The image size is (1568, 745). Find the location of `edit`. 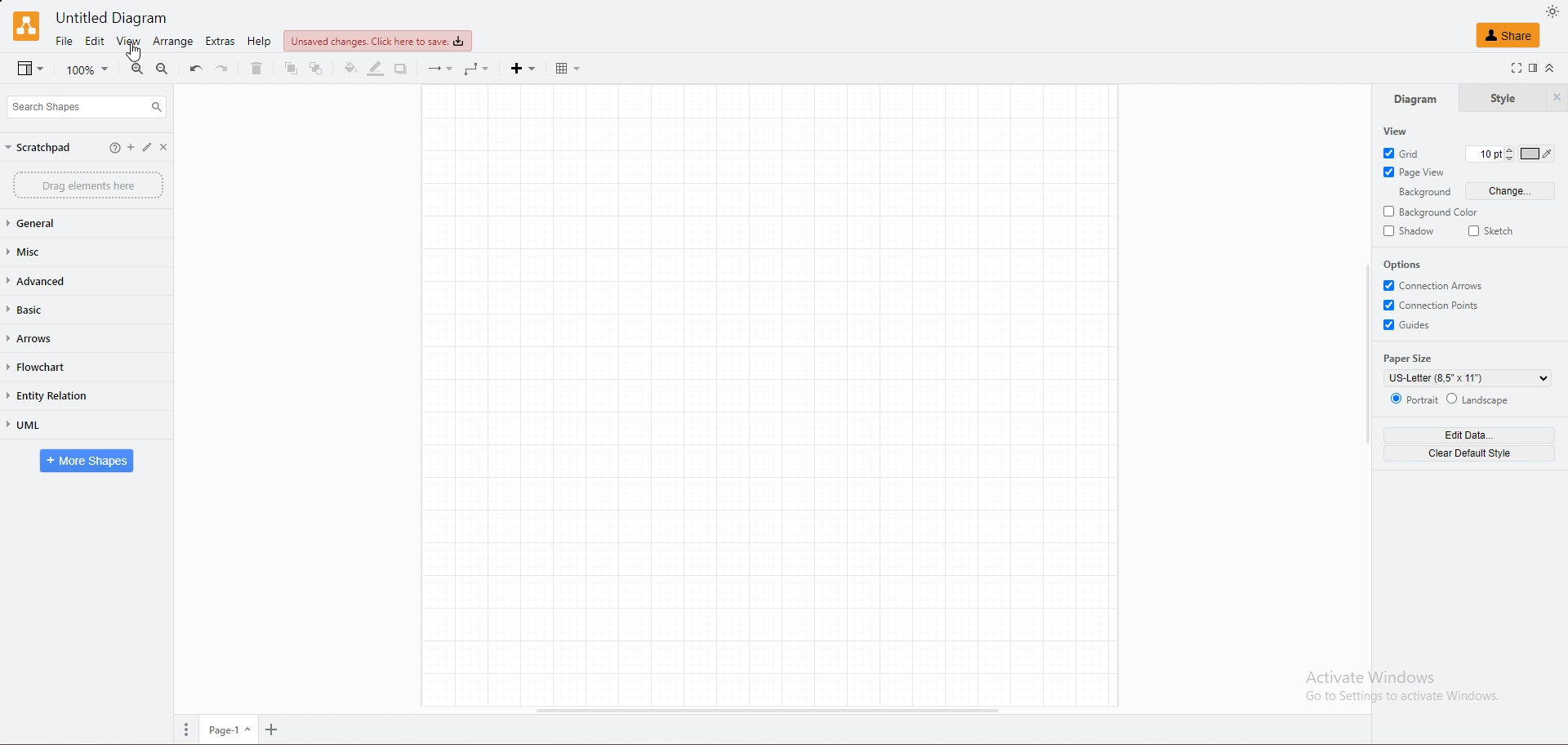

edit is located at coordinates (148, 148).